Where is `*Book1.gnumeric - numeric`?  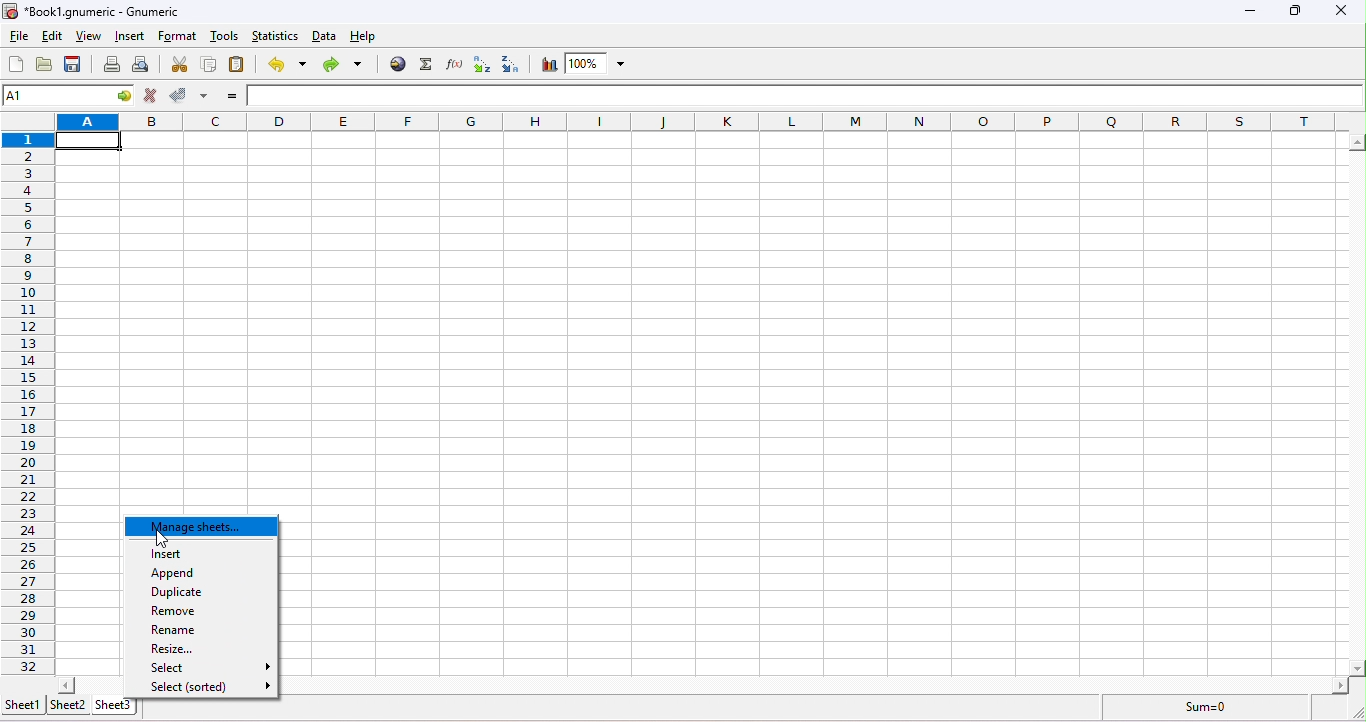 *Book1.gnumeric - numeric is located at coordinates (99, 12).